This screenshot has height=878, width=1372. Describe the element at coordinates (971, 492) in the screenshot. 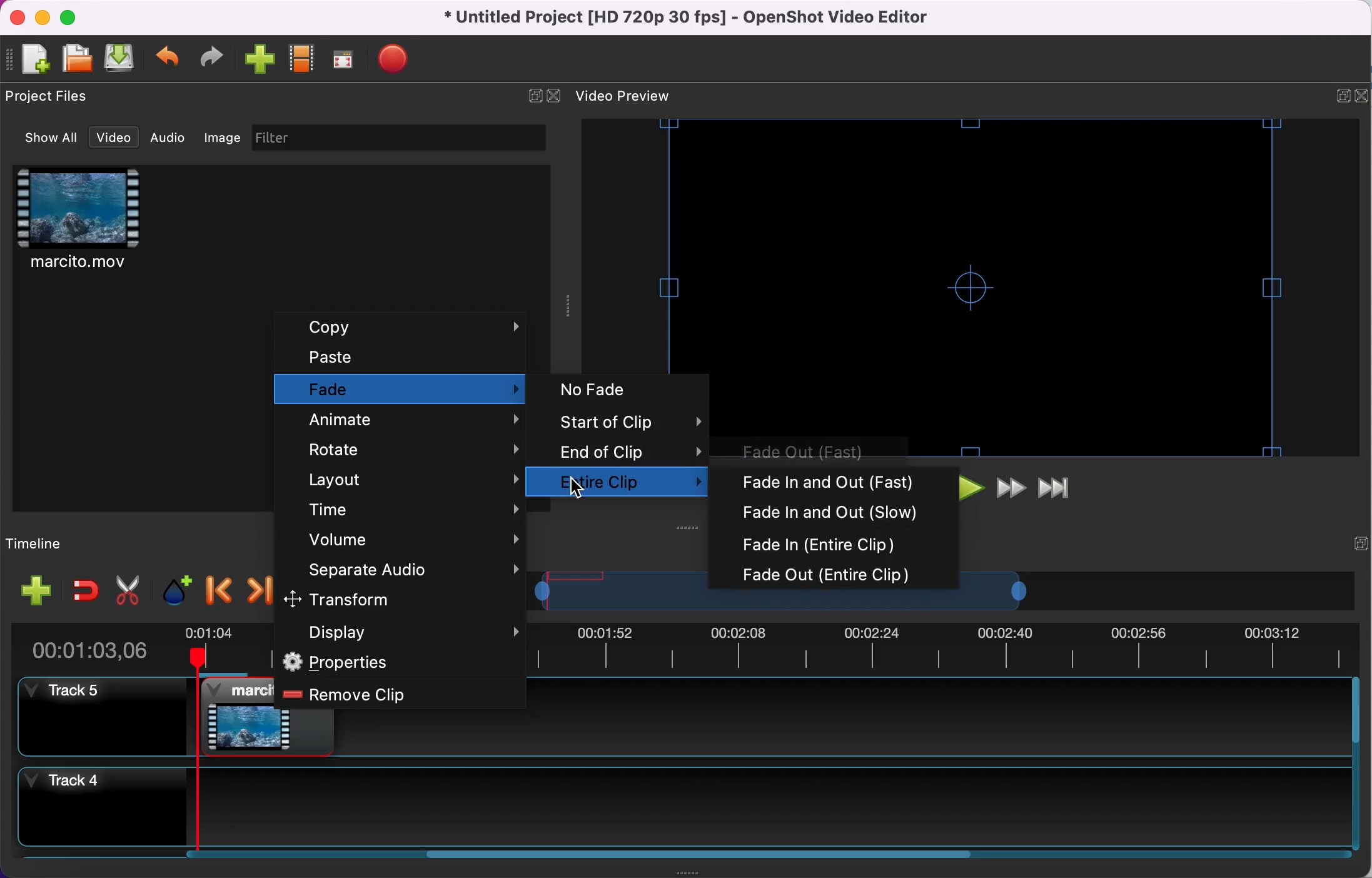

I see `play` at that location.